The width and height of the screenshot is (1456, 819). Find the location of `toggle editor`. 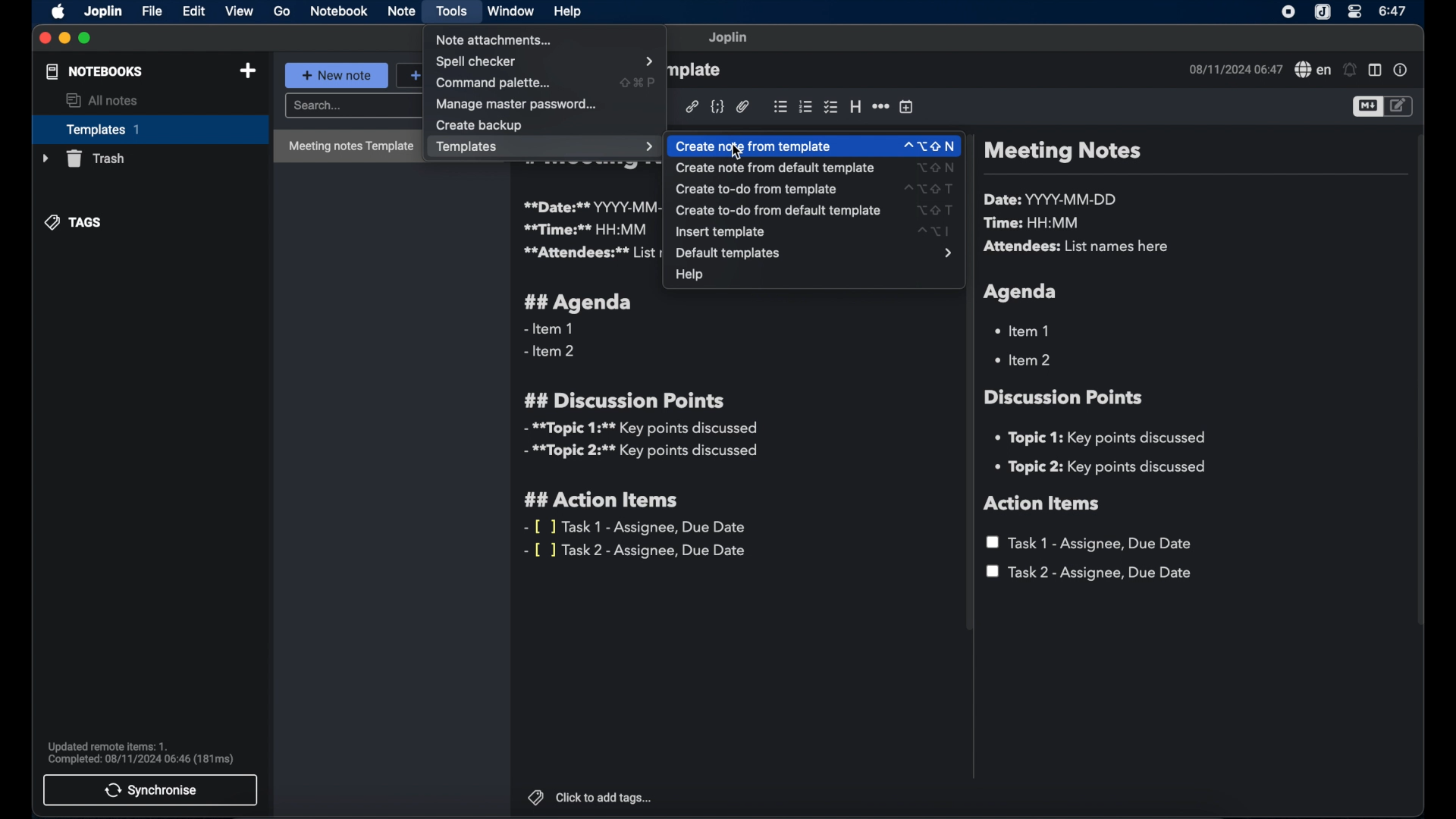

toggle editor is located at coordinates (1399, 106).